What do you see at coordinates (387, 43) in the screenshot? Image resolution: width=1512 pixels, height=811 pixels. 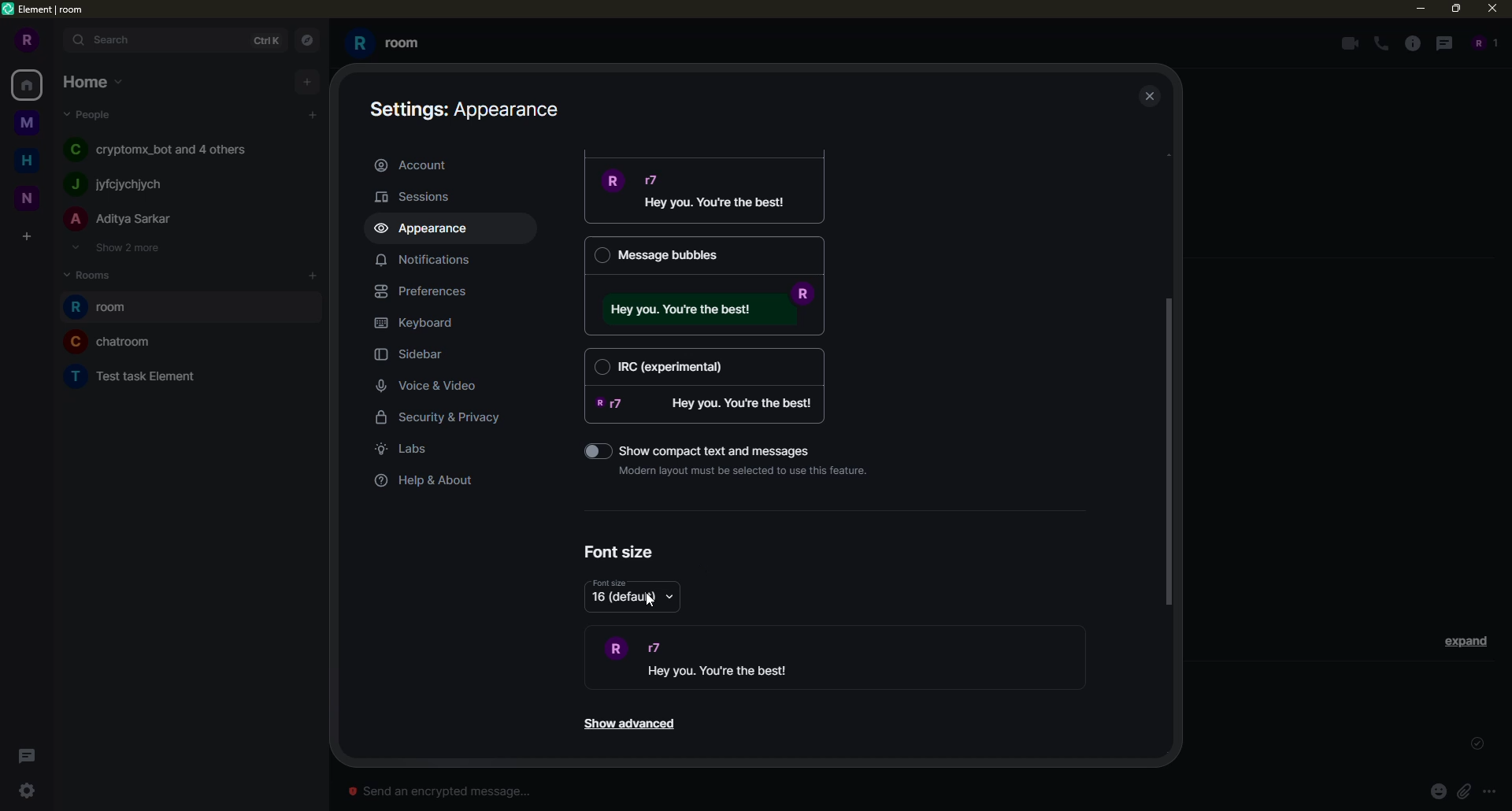 I see `room` at bounding box center [387, 43].